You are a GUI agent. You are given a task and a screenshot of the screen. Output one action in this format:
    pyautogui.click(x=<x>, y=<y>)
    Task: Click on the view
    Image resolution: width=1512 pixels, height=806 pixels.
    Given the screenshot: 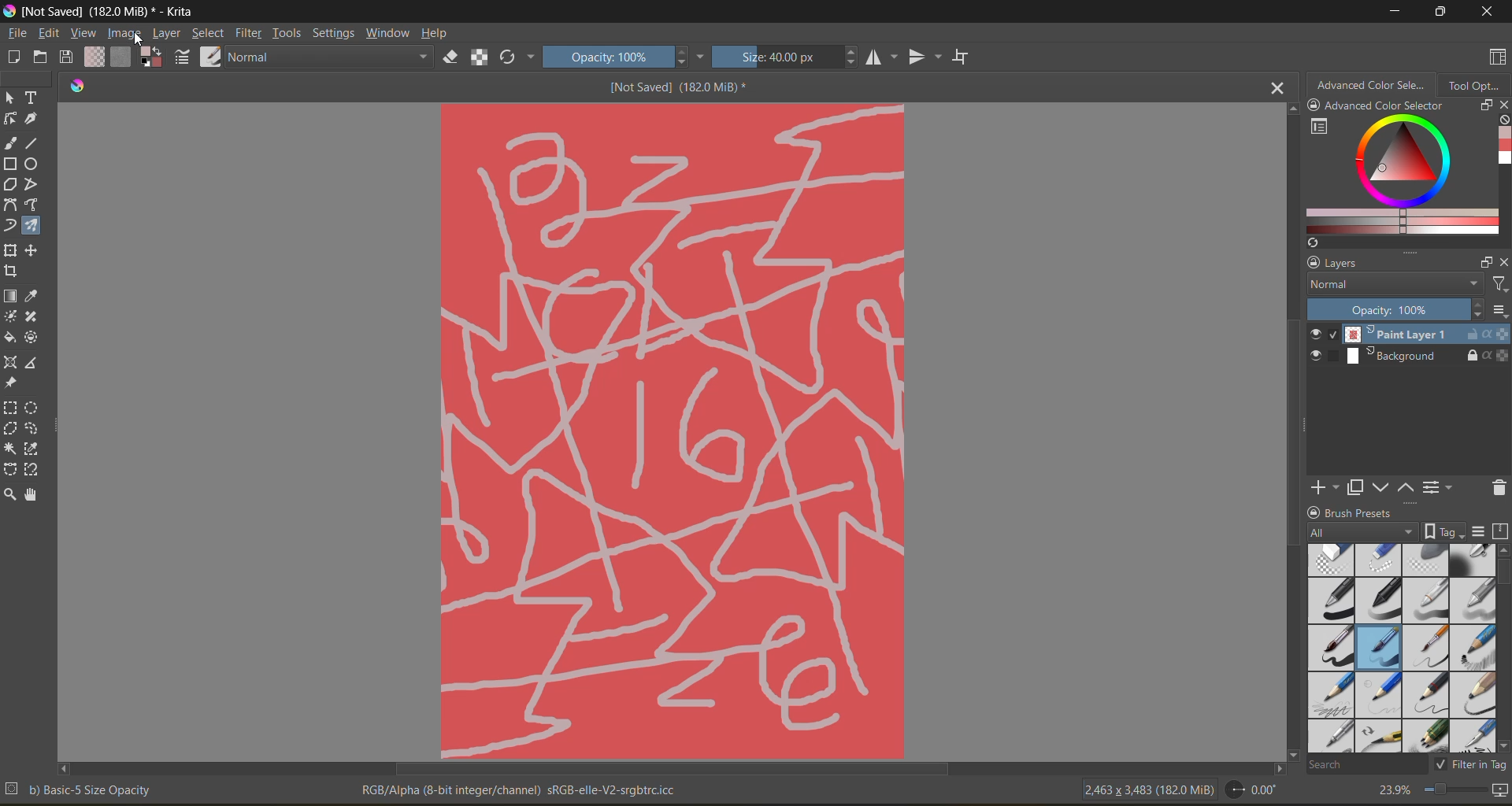 What is the action you would take?
    pyautogui.click(x=83, y=34)
    